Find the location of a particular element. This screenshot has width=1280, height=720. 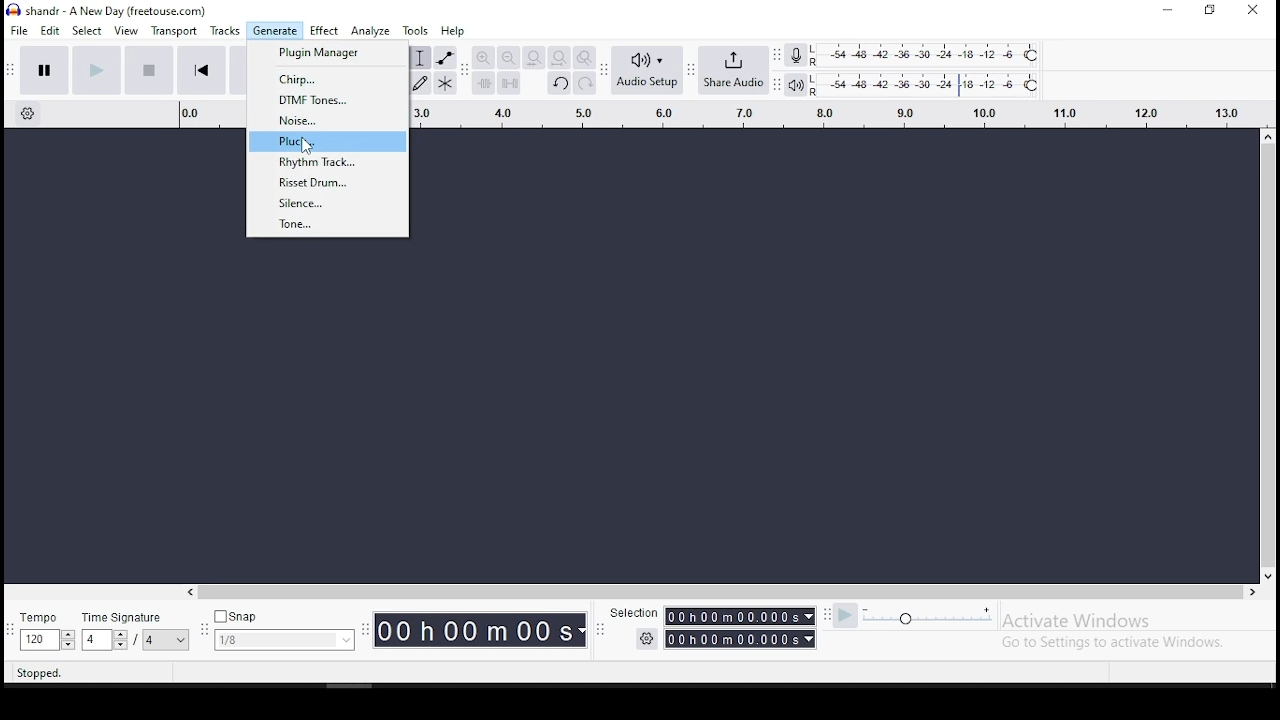

stopped is located at coordinates (41, 674).